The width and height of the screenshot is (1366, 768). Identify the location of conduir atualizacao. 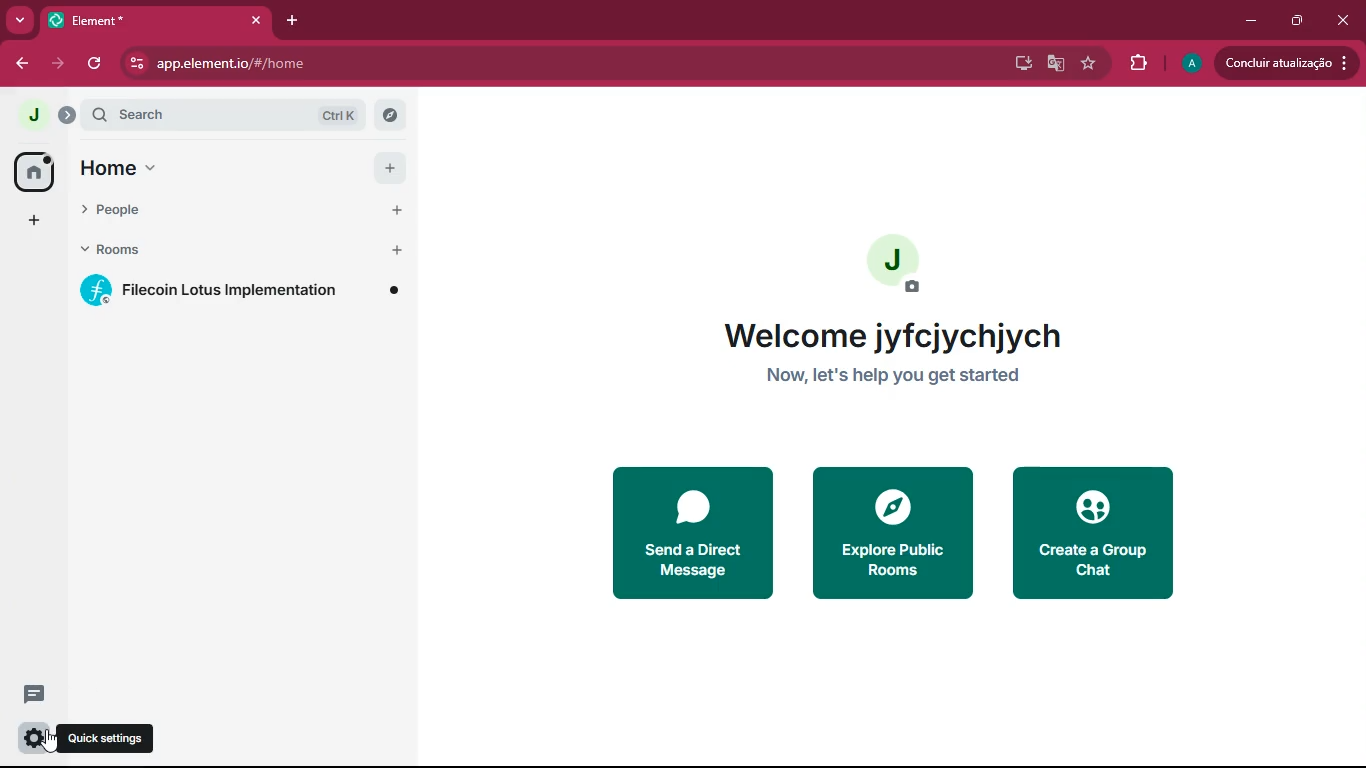
(1285, 63).